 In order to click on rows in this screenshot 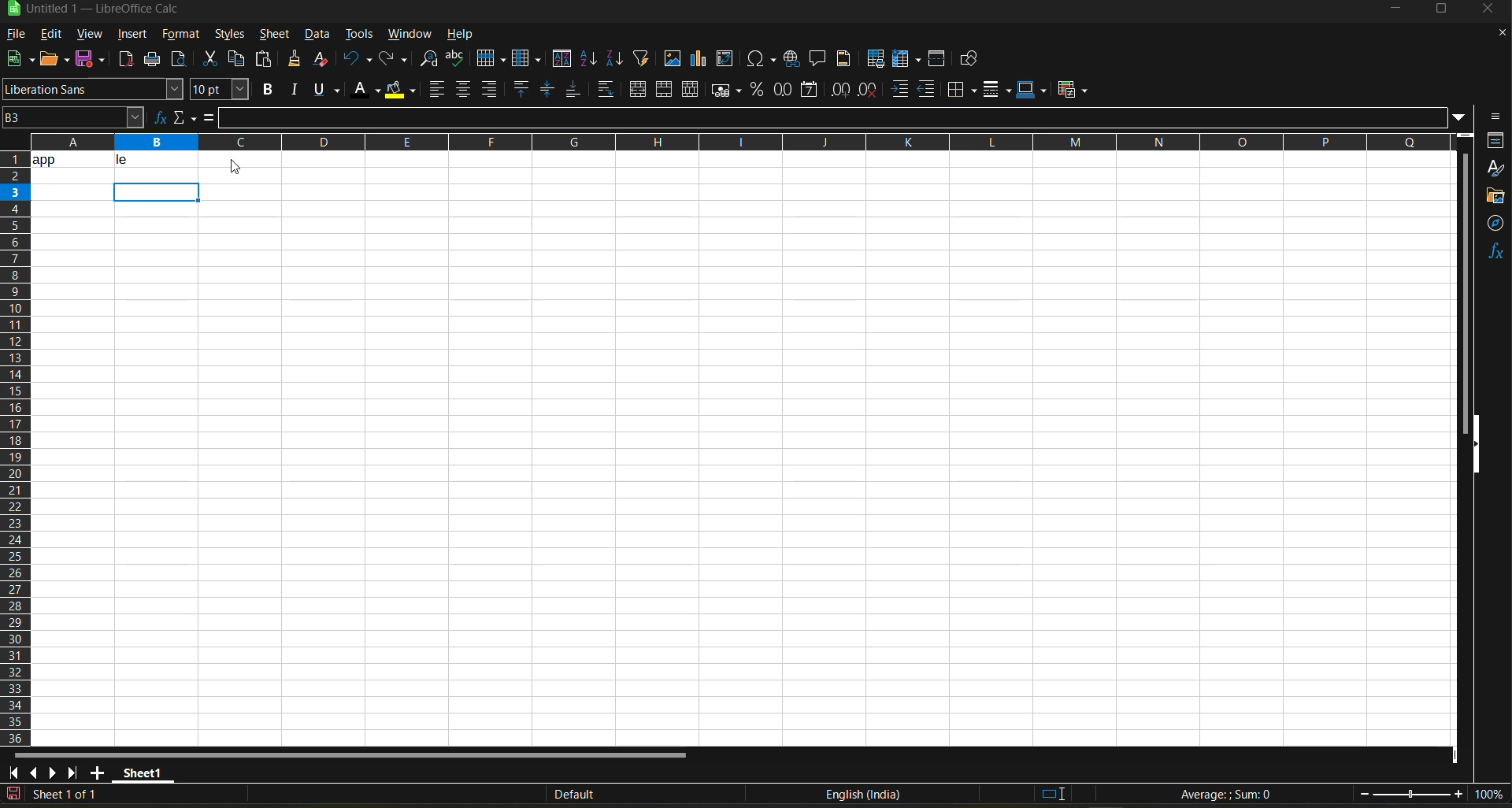, I will do `click(734, 141)`.